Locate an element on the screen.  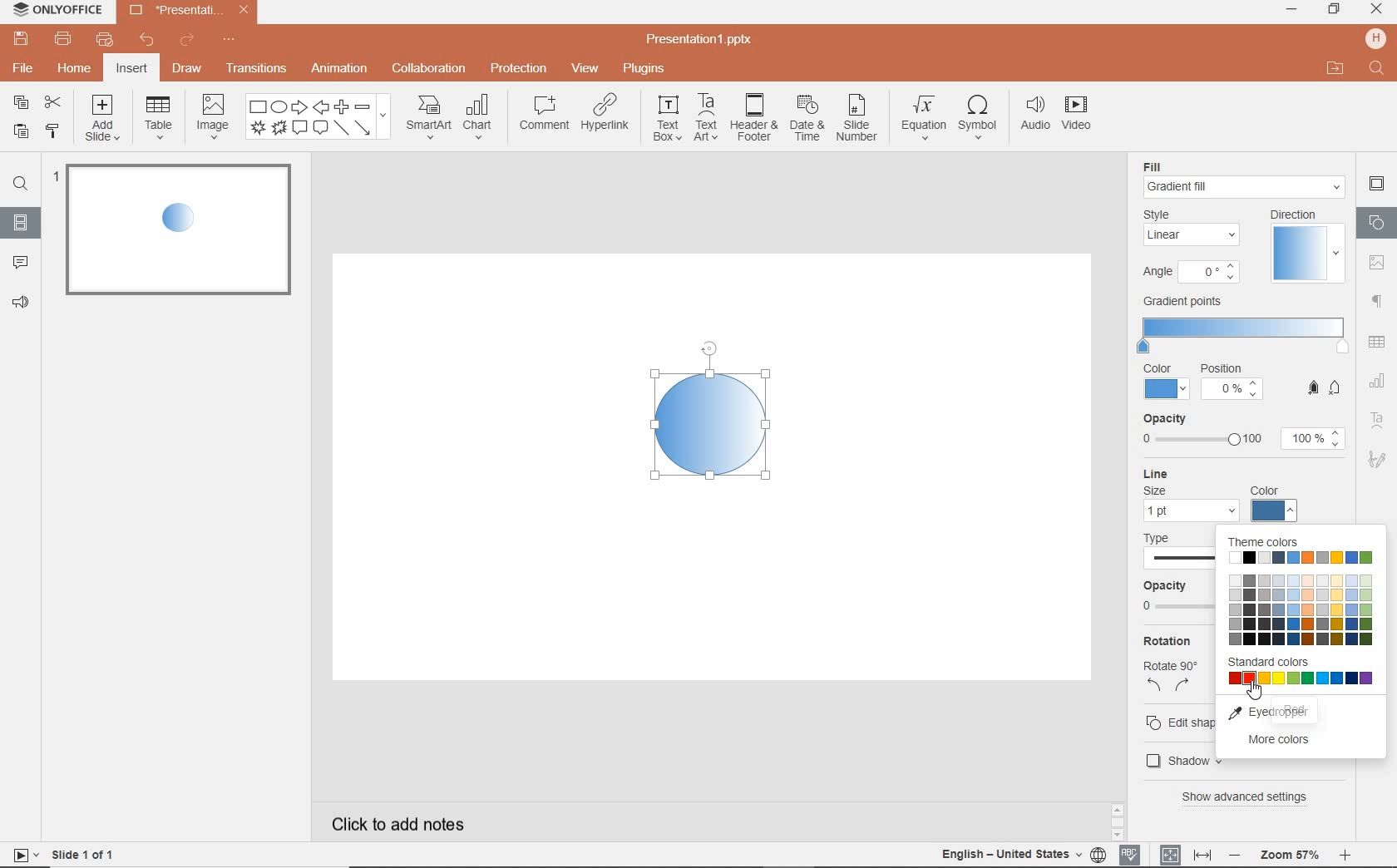
animation is located at coordinates (339, 70).